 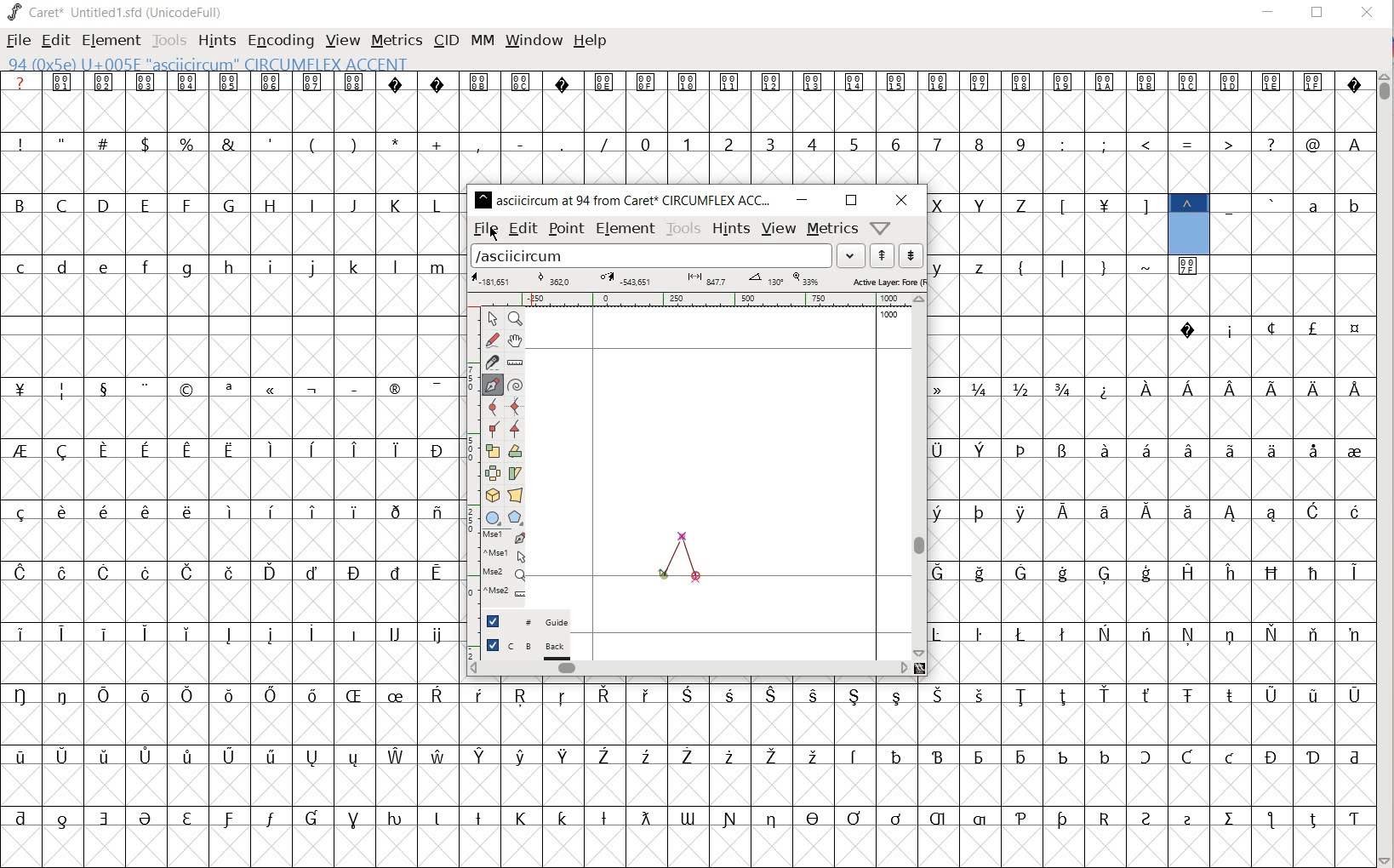 I want to click on skew the selection, so click(x=515, y=474).